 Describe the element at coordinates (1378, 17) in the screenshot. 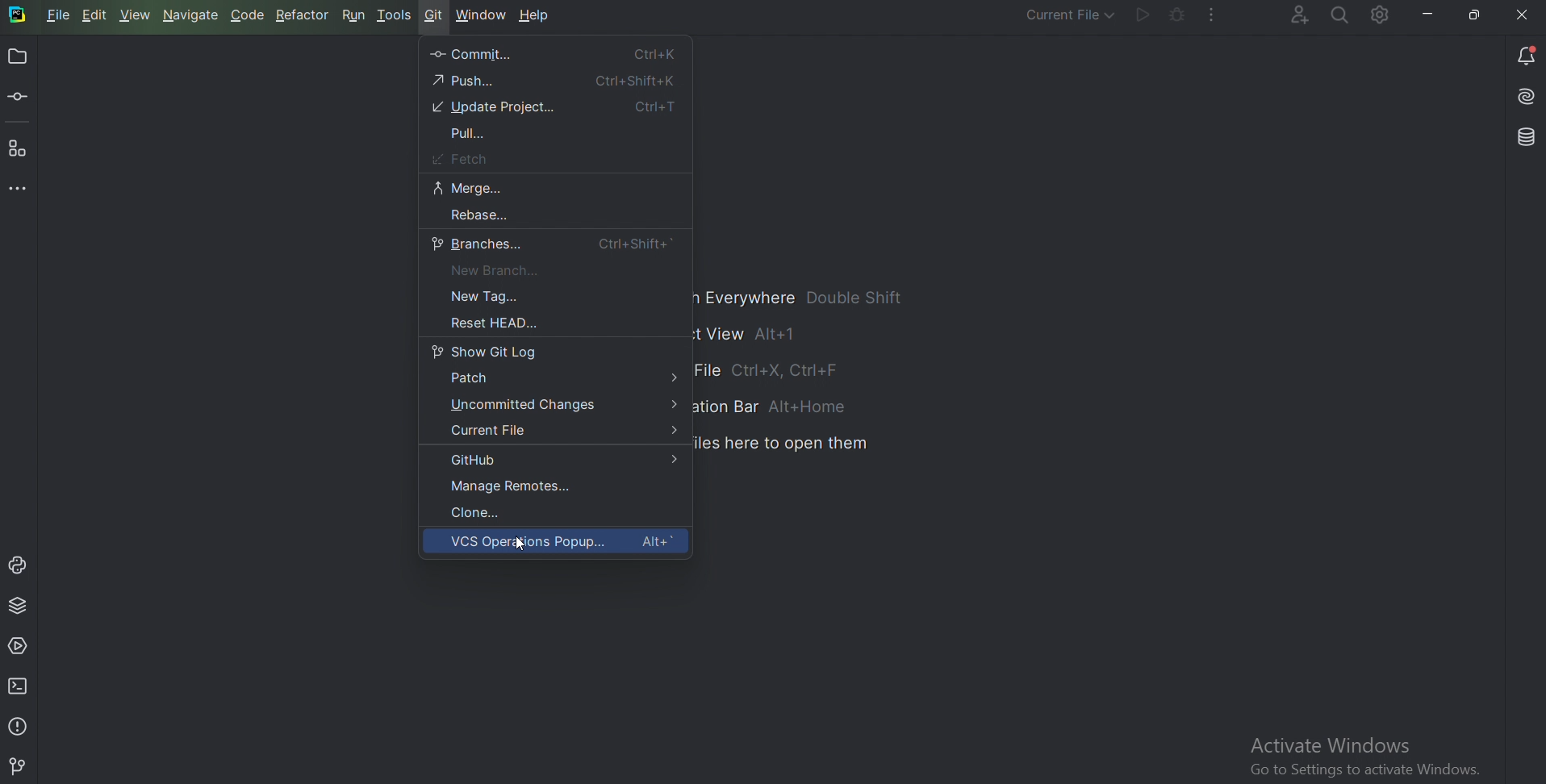

I see `Setting` at that location.